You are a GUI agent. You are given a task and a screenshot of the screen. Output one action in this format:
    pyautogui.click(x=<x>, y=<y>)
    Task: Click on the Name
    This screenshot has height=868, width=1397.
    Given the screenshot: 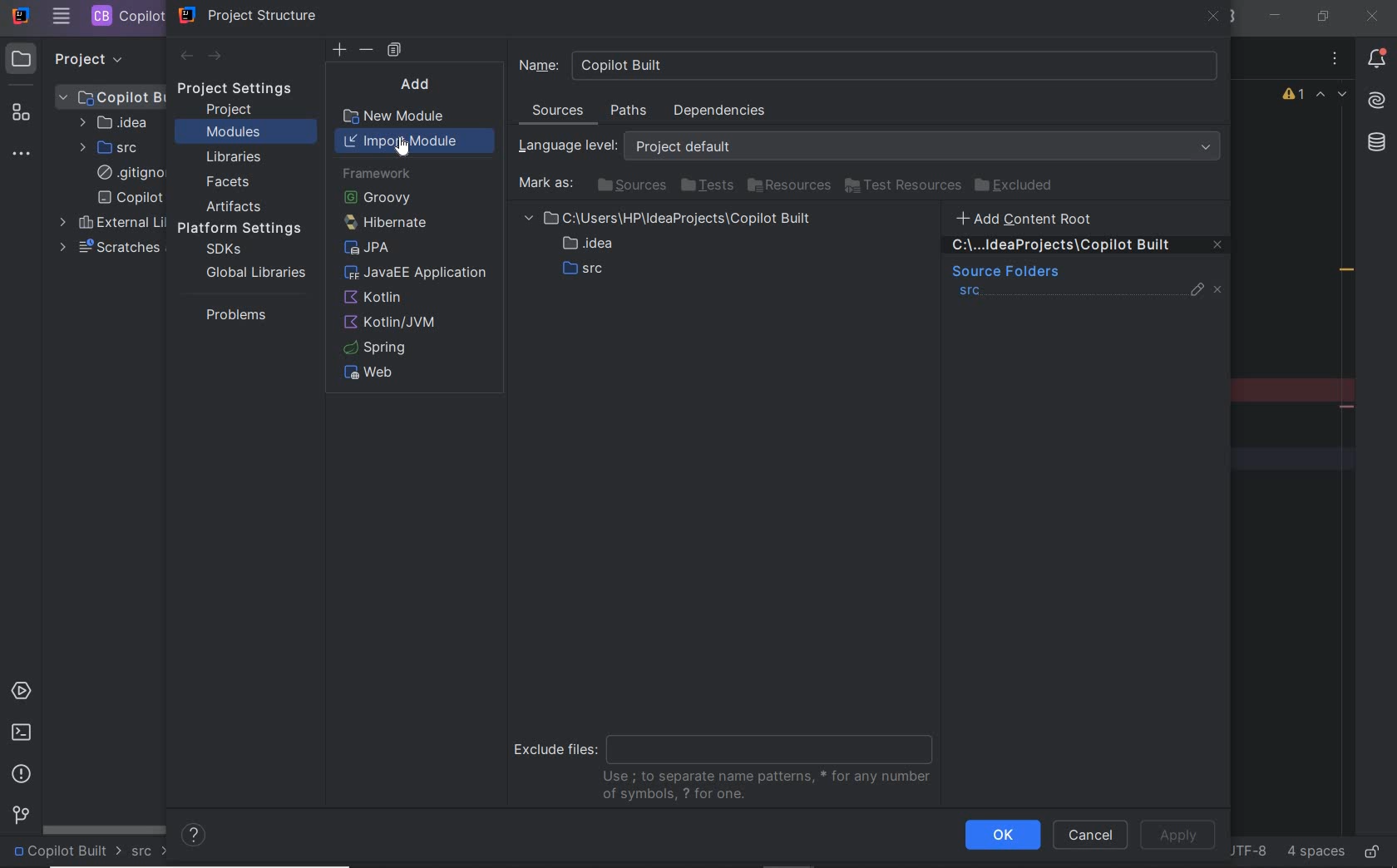 What is the action you would take?
    pyautogui.click(x=869, y=65)
    